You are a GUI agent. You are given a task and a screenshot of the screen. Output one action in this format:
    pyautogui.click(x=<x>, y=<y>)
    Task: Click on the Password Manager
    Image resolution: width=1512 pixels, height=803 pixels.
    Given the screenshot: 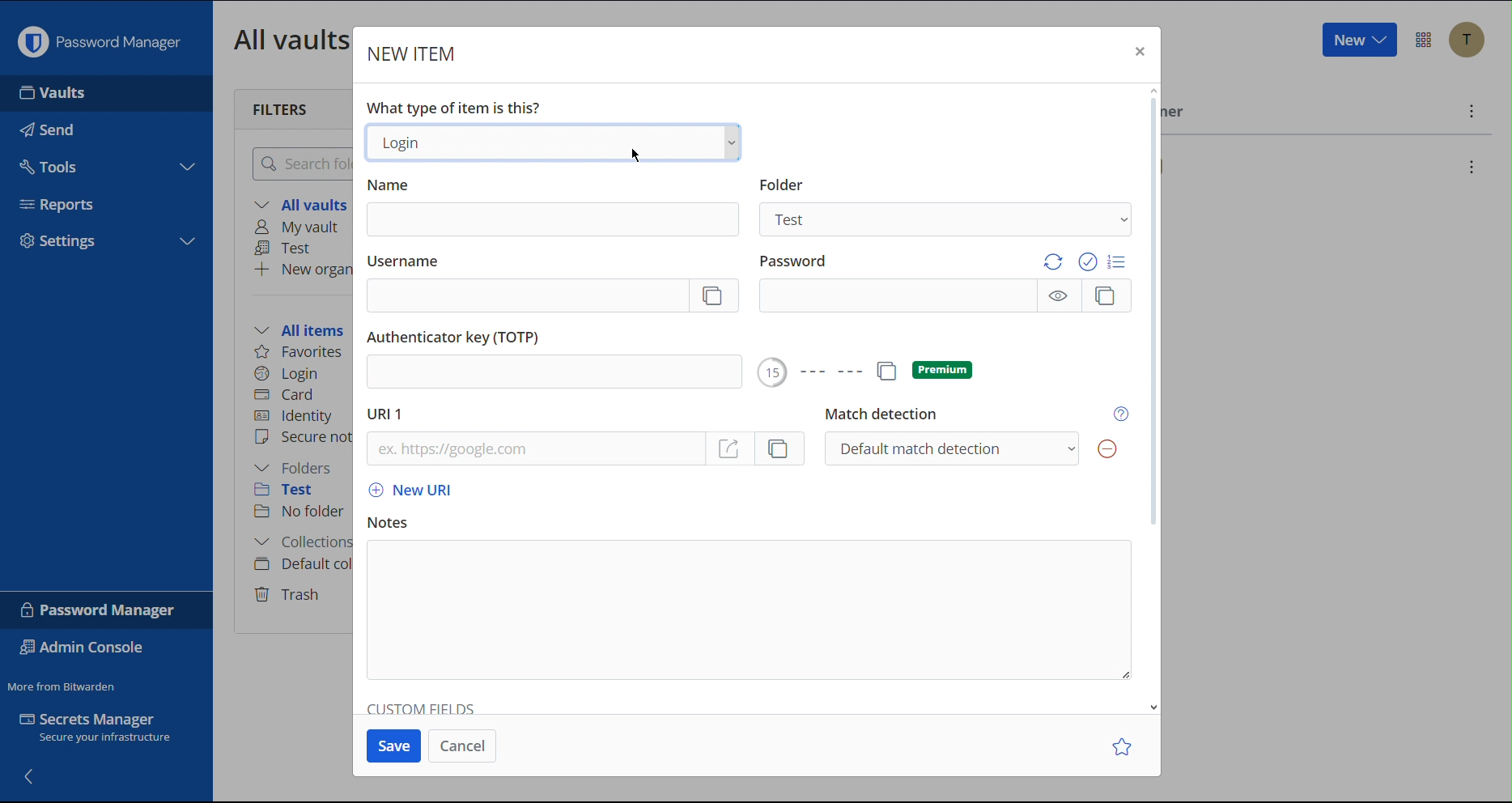 What is the action you would take?
    pyautogui.click(x=100, y=610)
    